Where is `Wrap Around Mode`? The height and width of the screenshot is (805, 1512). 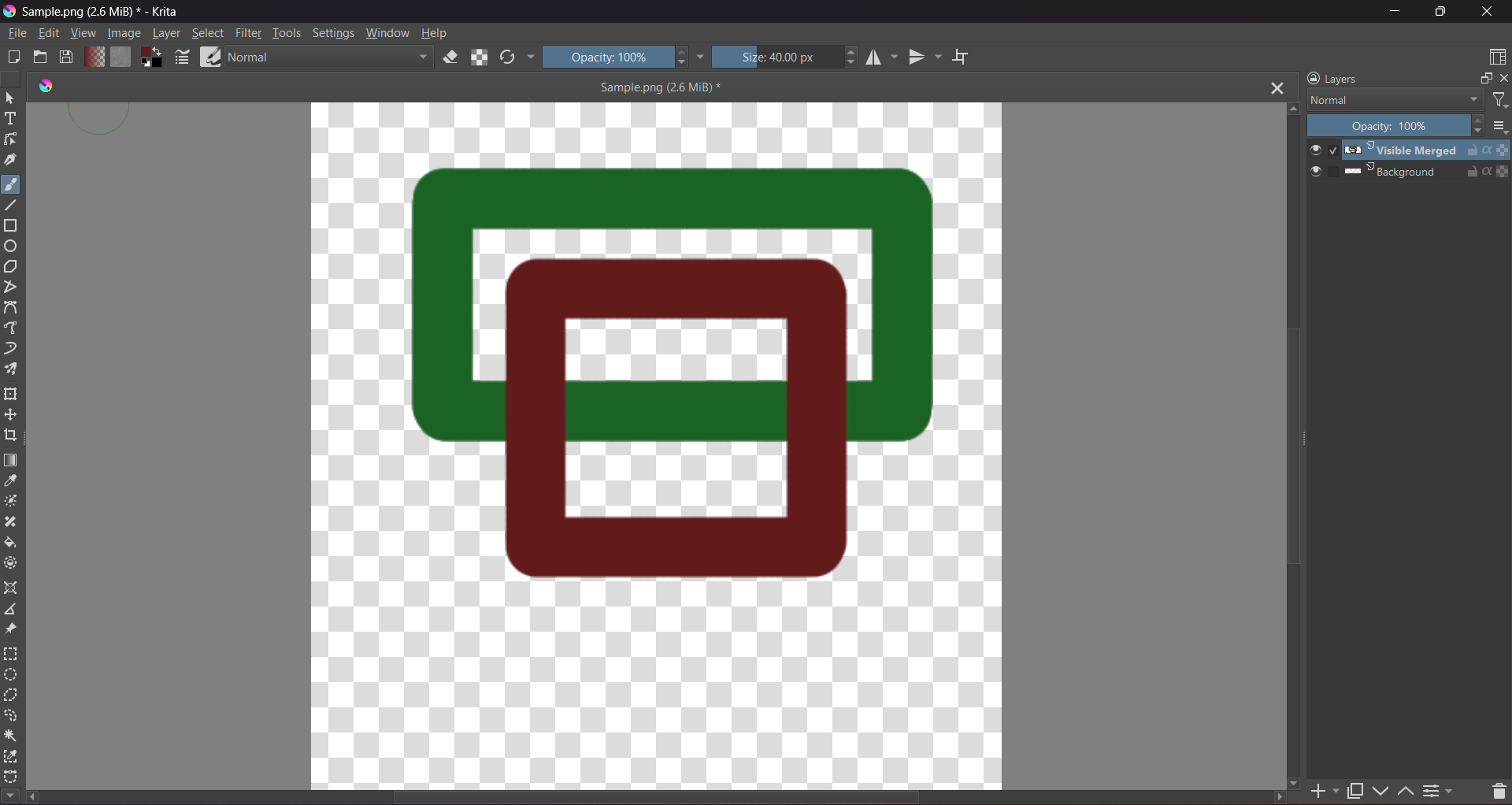 Wrap Around Mode is located at coordinates (973, 52).